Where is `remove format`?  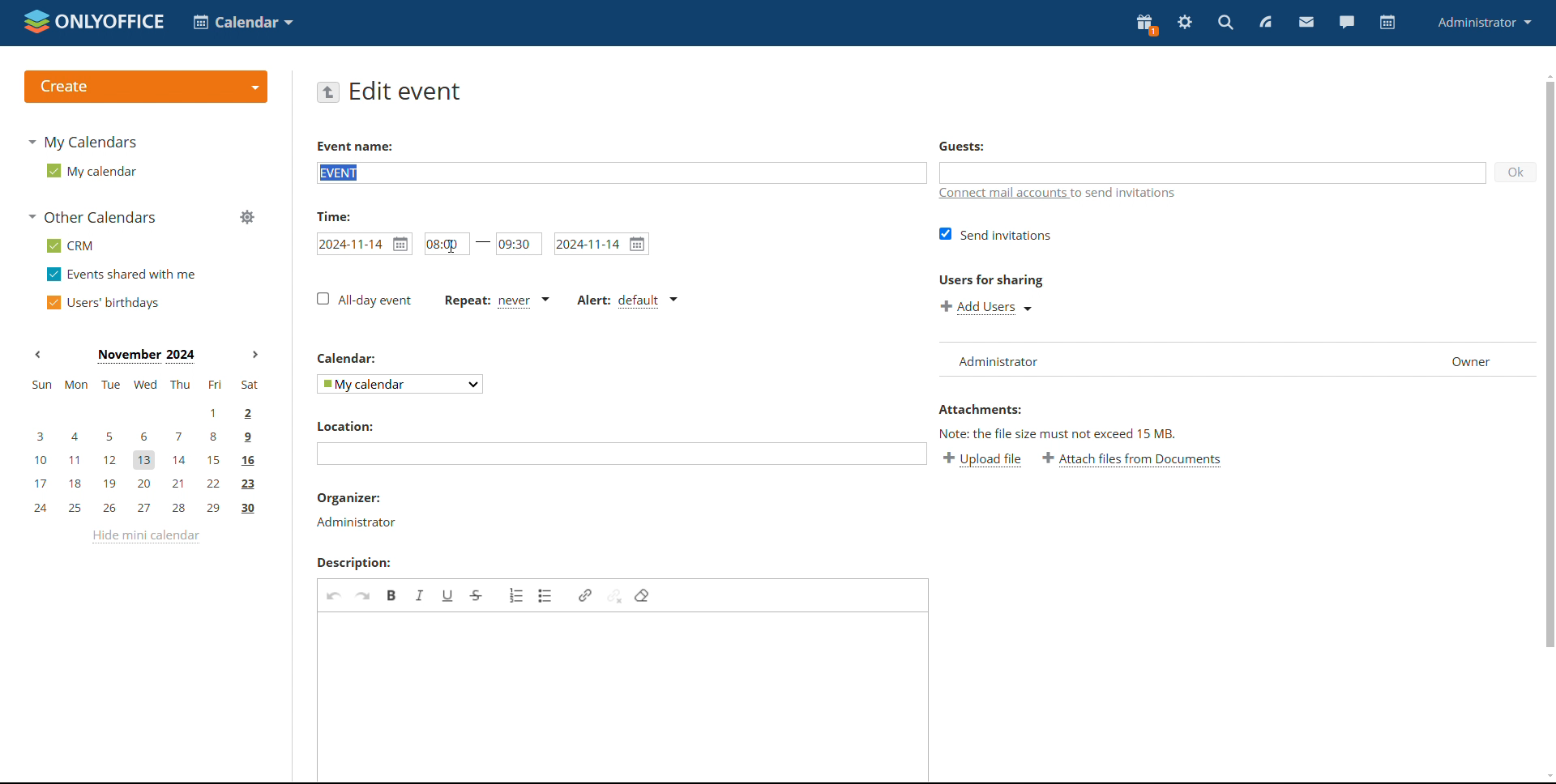 remove format is located at coordinates (643, 594).